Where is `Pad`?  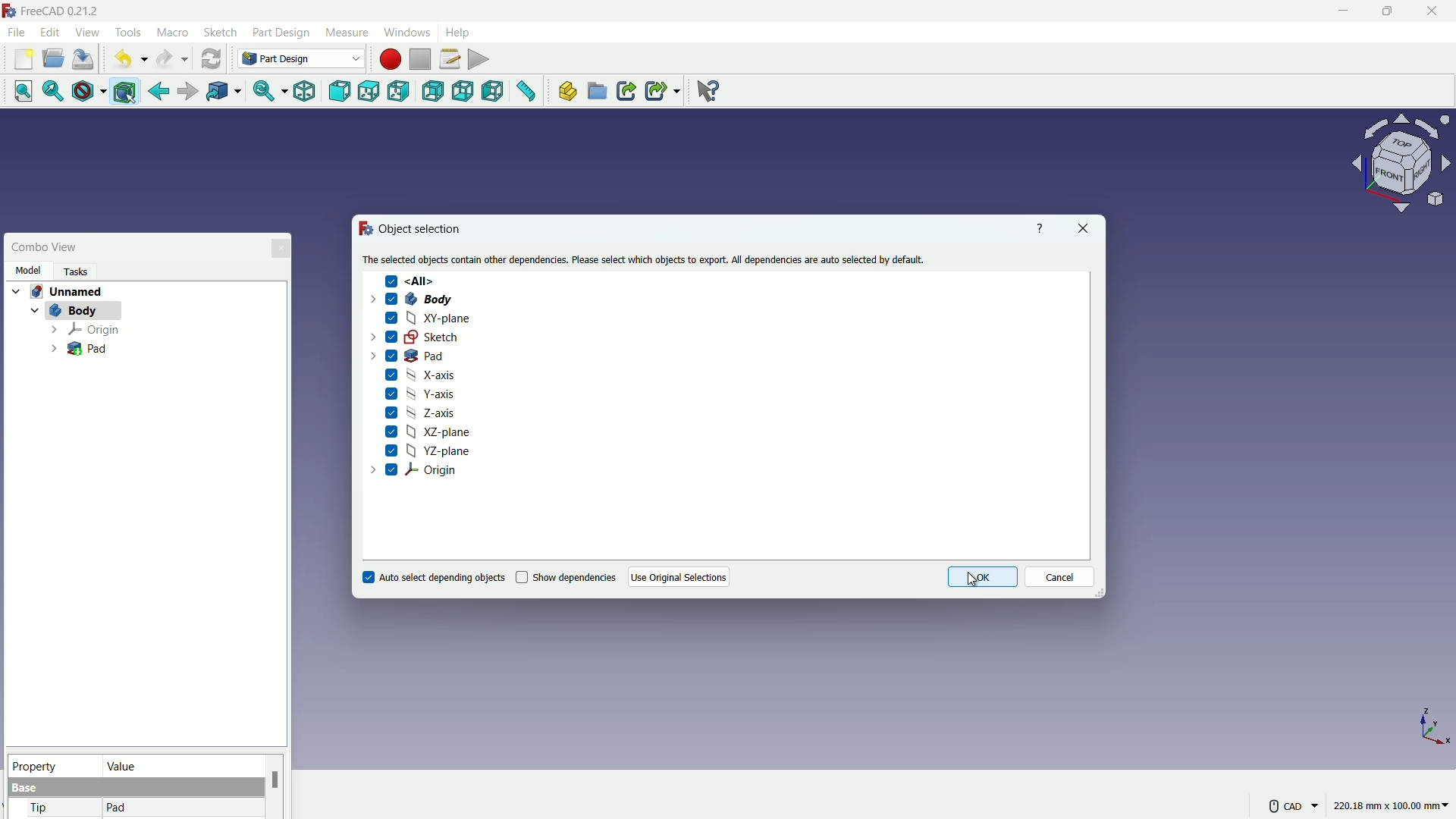
Pad is located at coordinates (416, 354).